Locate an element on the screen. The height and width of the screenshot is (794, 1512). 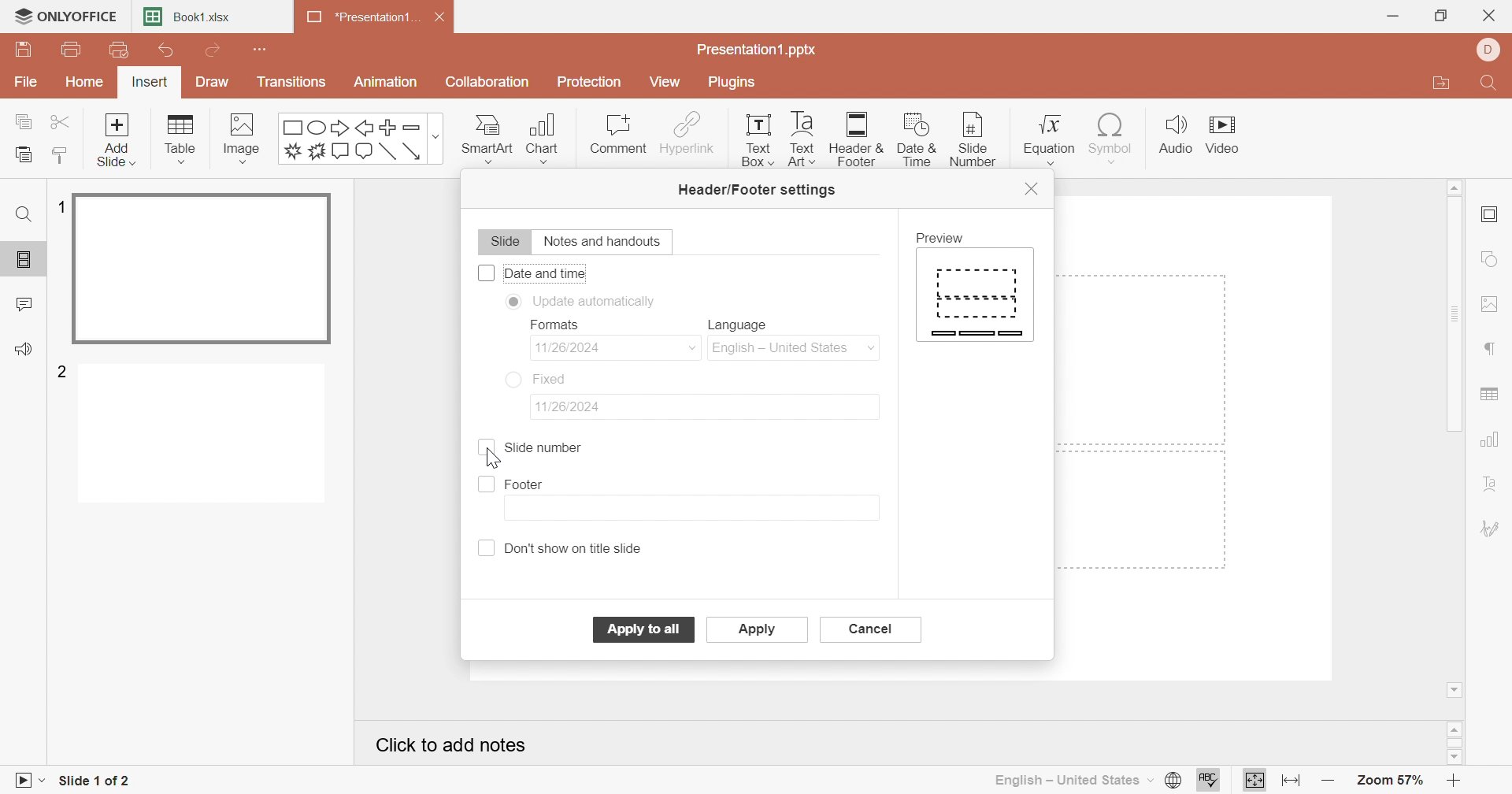
Customize Quick AcessToolbar is located at coordinates (261, 47).